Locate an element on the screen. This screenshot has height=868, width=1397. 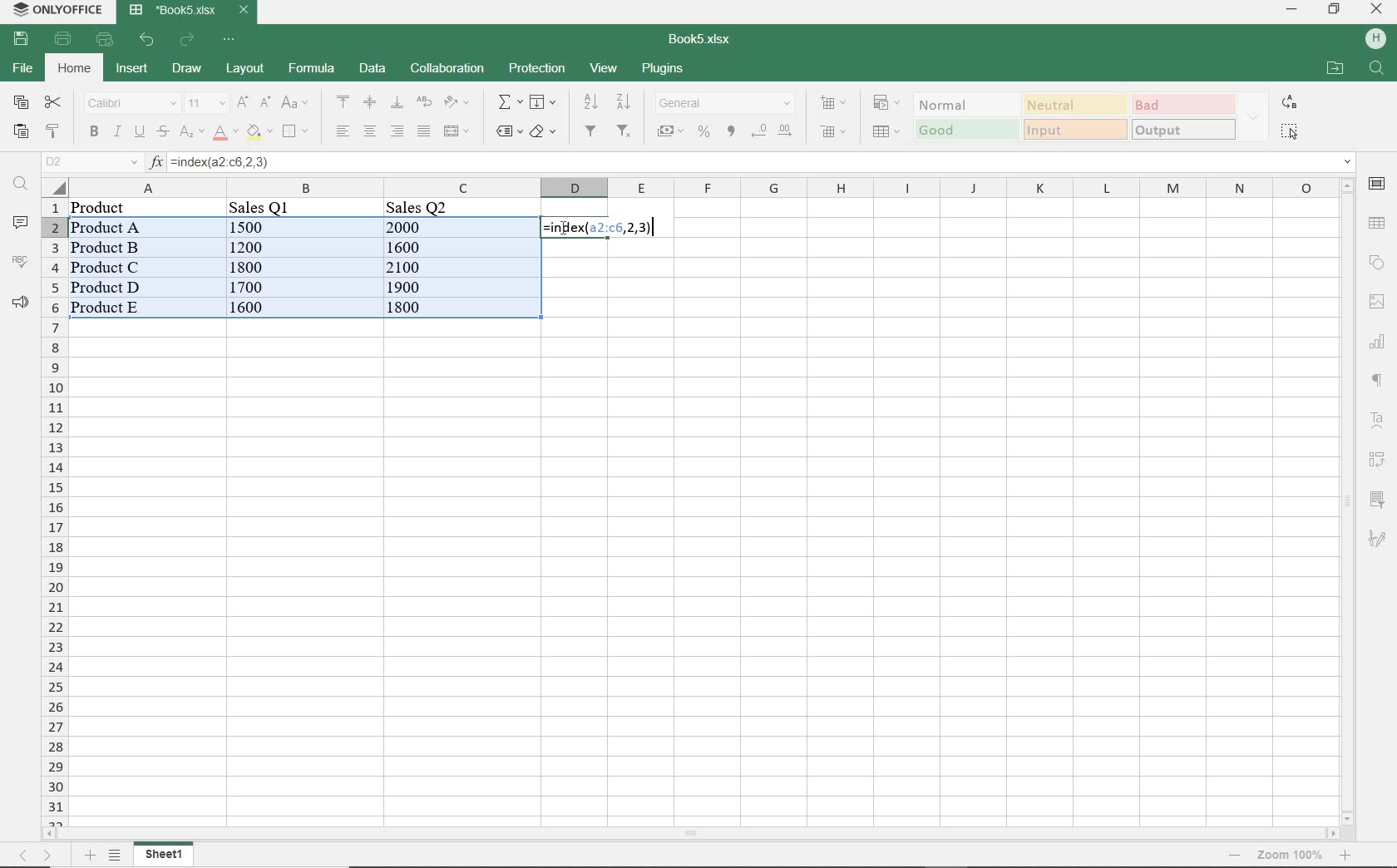
copy is located at coordinates (21, 101).